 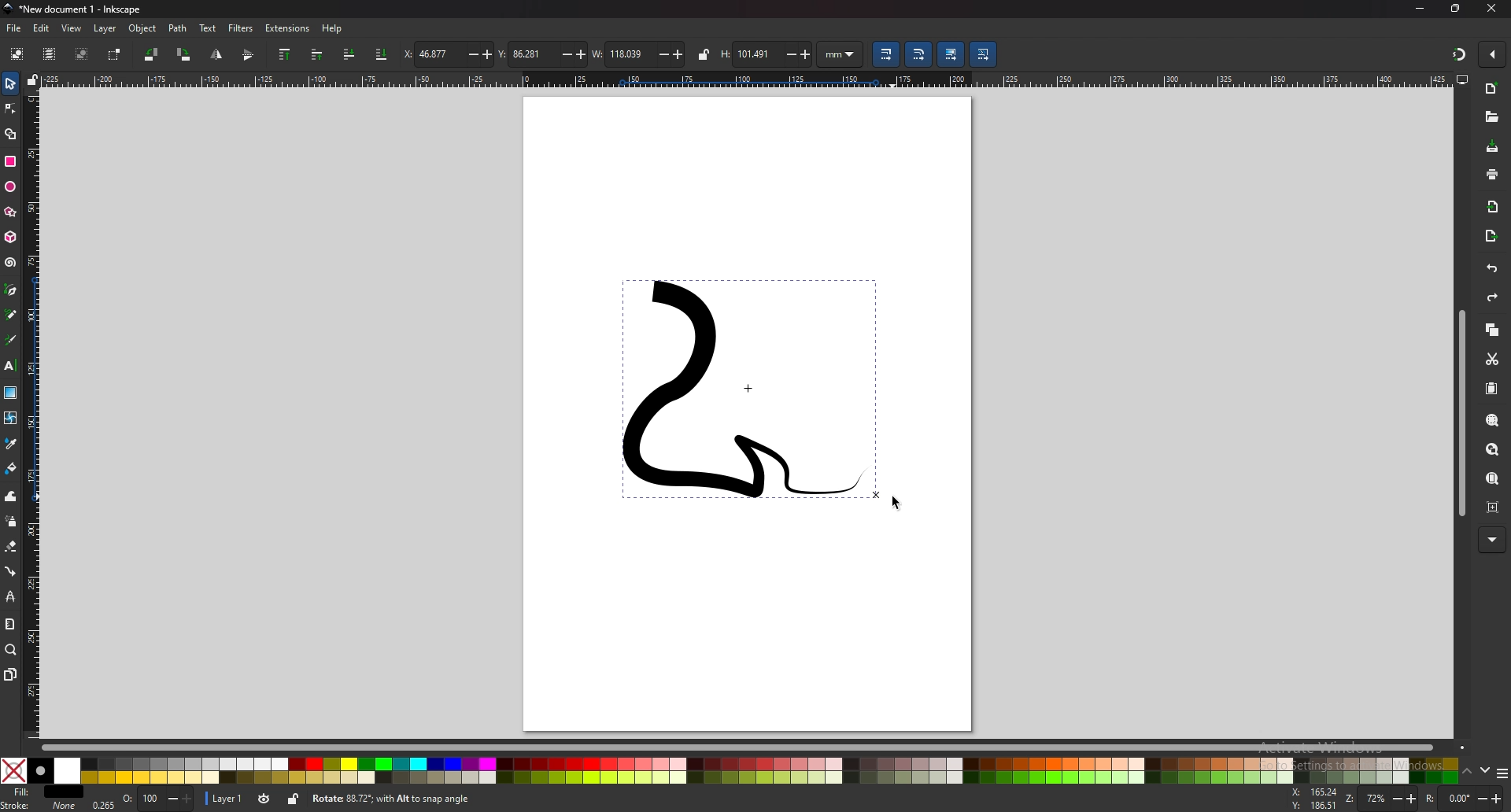 I want to click on spiral, so click(x=10, y=263).